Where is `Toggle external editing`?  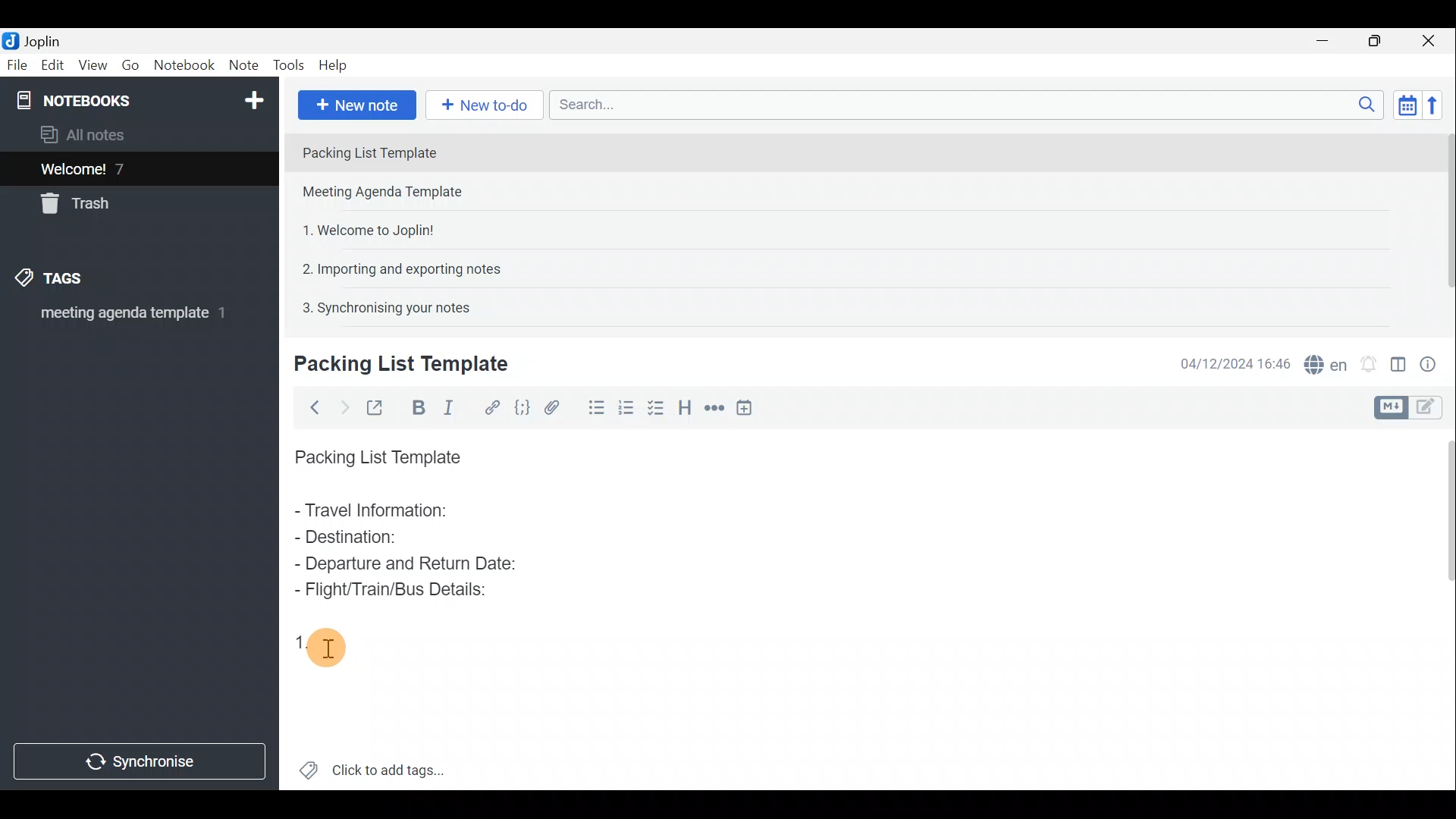
Toggle external editing is located at coordinates (376, 406).